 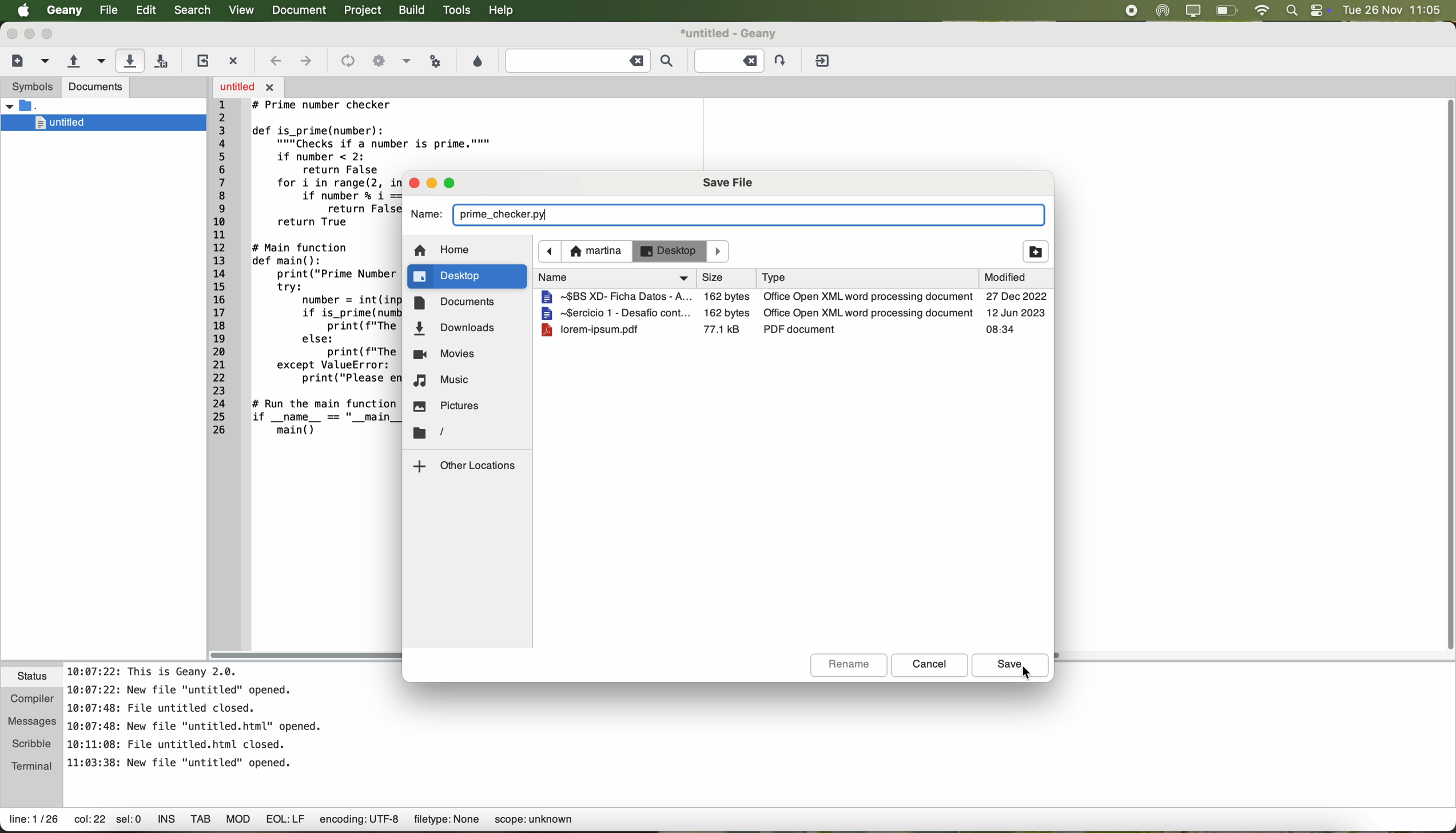 What do you see at coordinates (930, 665) in the screenshot?
I see `cancel button` at bounding box center [930, 665].